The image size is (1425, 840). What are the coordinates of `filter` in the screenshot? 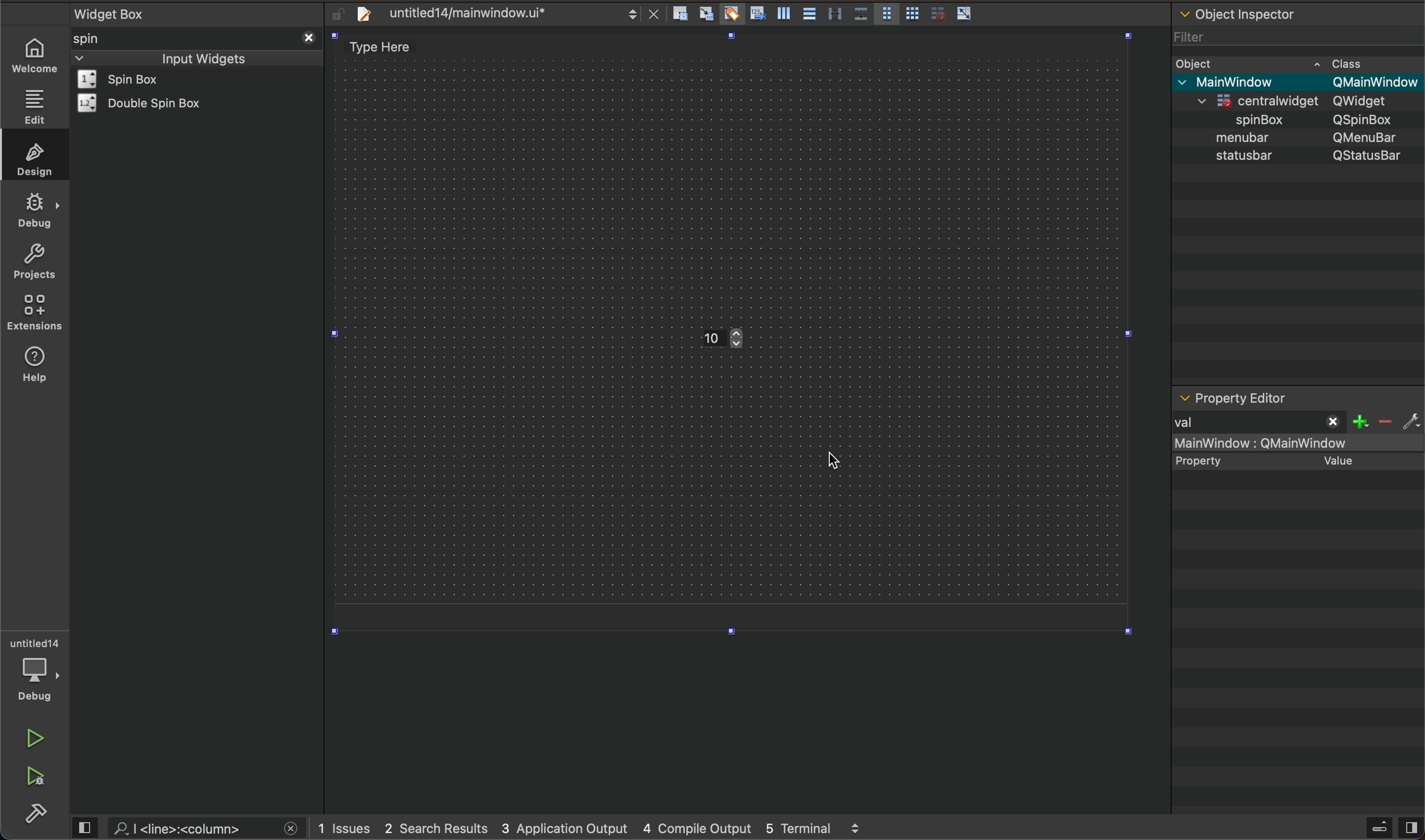 It's located at (1192, 33).